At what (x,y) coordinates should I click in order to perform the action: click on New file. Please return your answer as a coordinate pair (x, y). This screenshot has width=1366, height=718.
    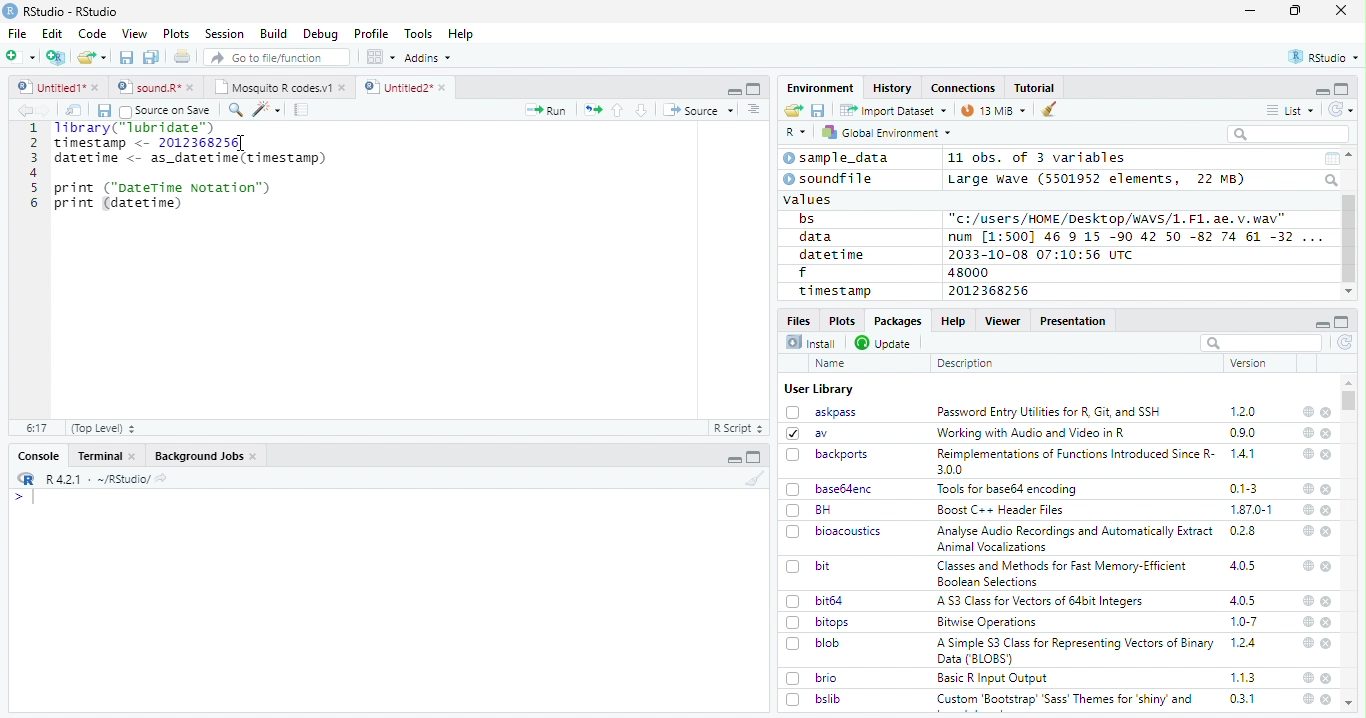
    Looking at the image, I should click on (22, 57).